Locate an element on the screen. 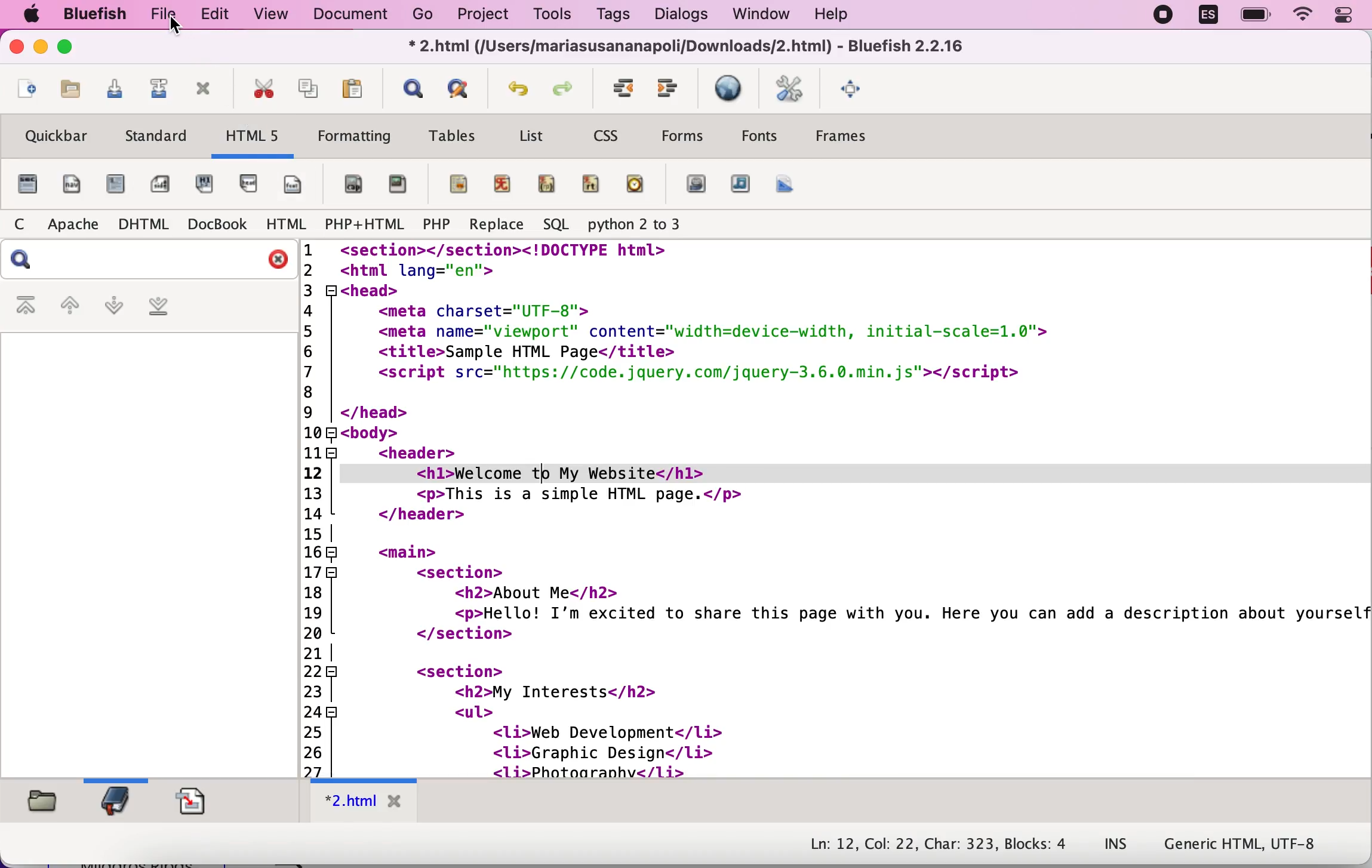 The width and height of the screenshot is (1372, 868). project is located at coordinates (482, 15).